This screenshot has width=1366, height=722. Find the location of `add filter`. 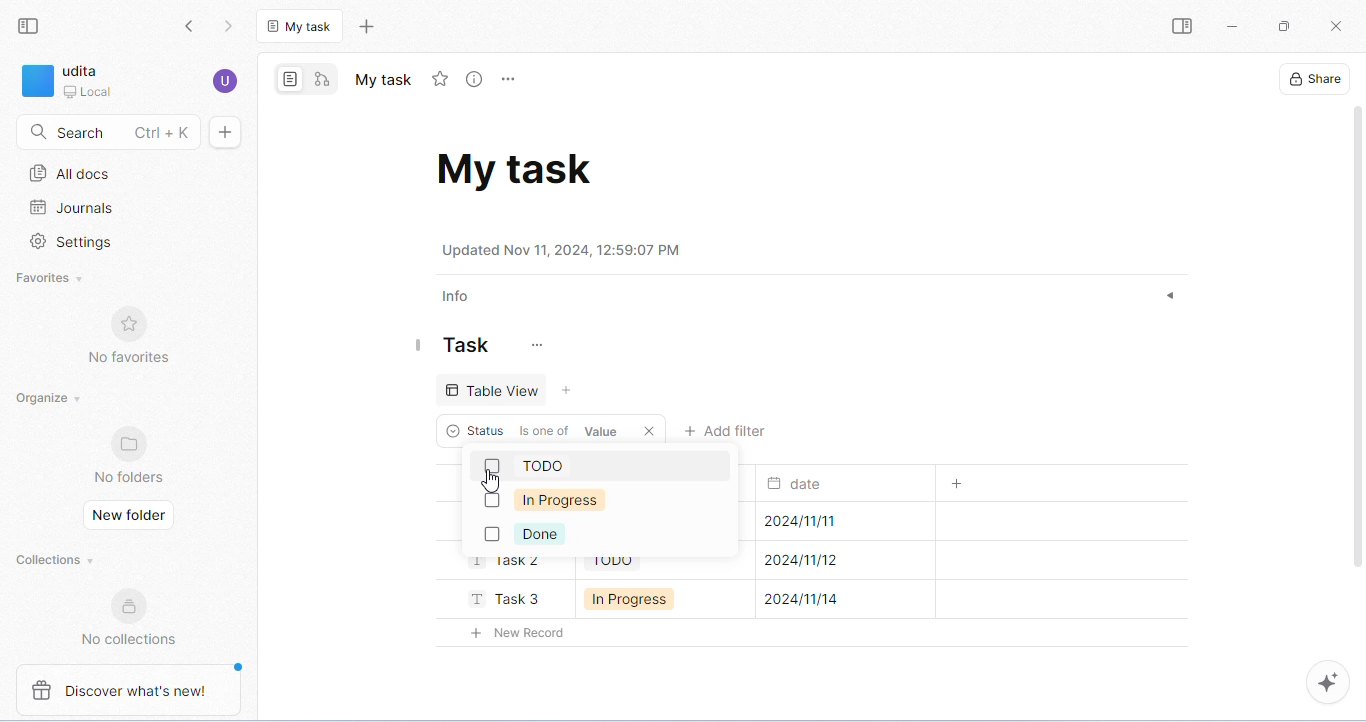

add filter is located at coordinates (726, 429).